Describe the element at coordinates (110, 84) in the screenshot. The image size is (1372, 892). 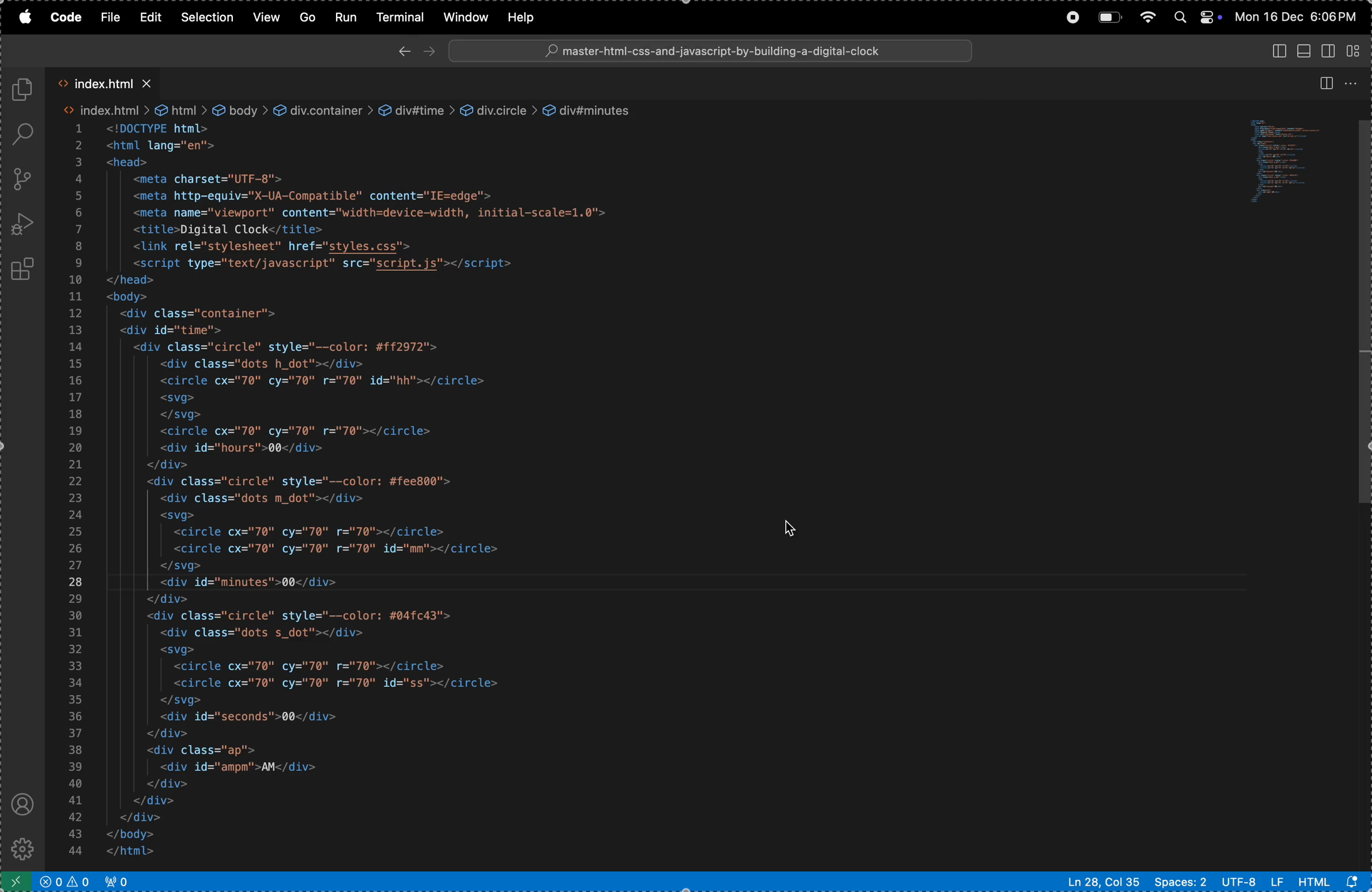
I see `index.html tab` at that location.